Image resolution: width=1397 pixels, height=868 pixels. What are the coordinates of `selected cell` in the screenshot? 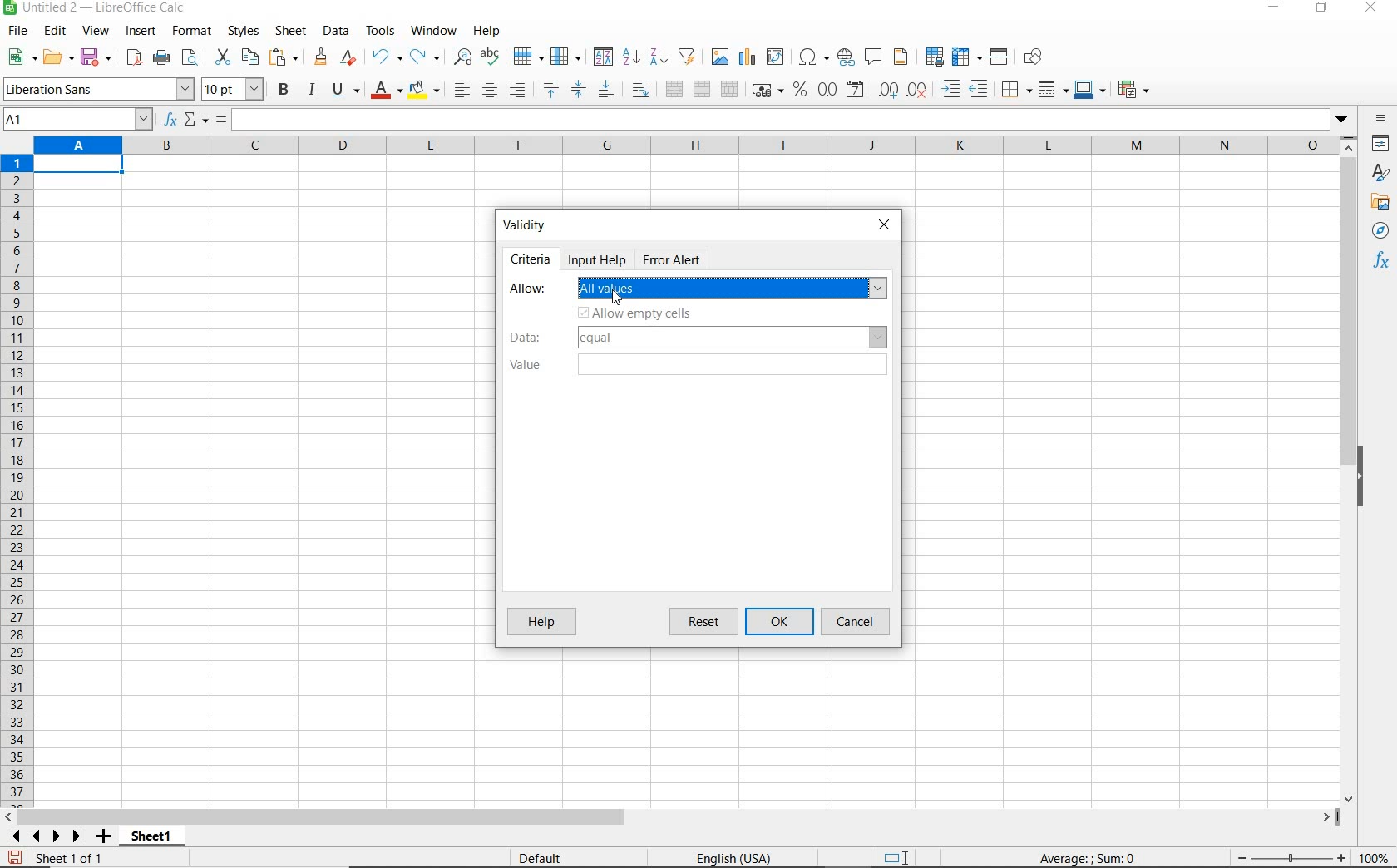 It's located at (79, 166).